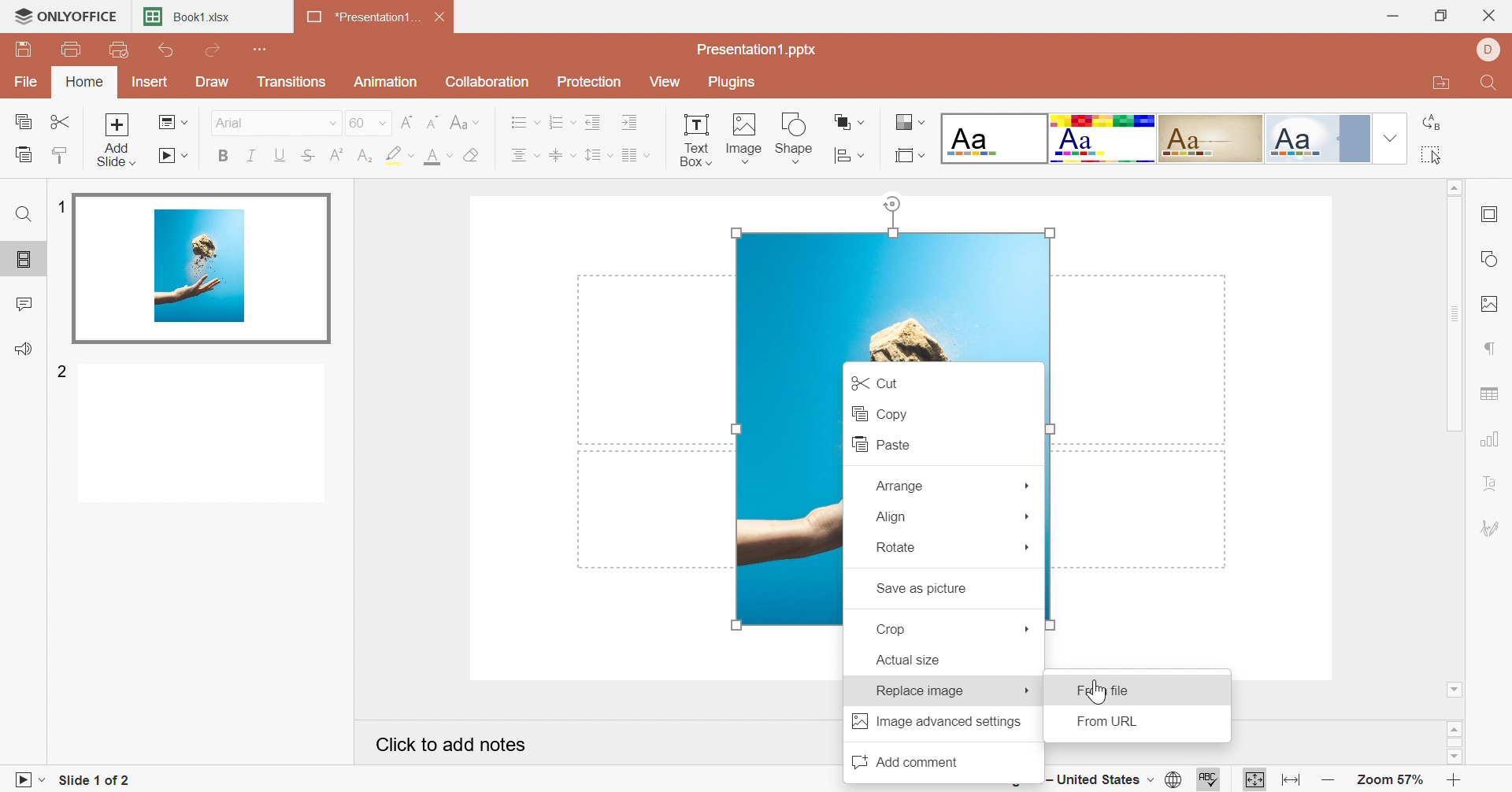 This screenshot has width=1512, height=792. What do you see at coordinates (1492, 14) in the screenshot?
I see `Close` at bounding box center [1492, 14].